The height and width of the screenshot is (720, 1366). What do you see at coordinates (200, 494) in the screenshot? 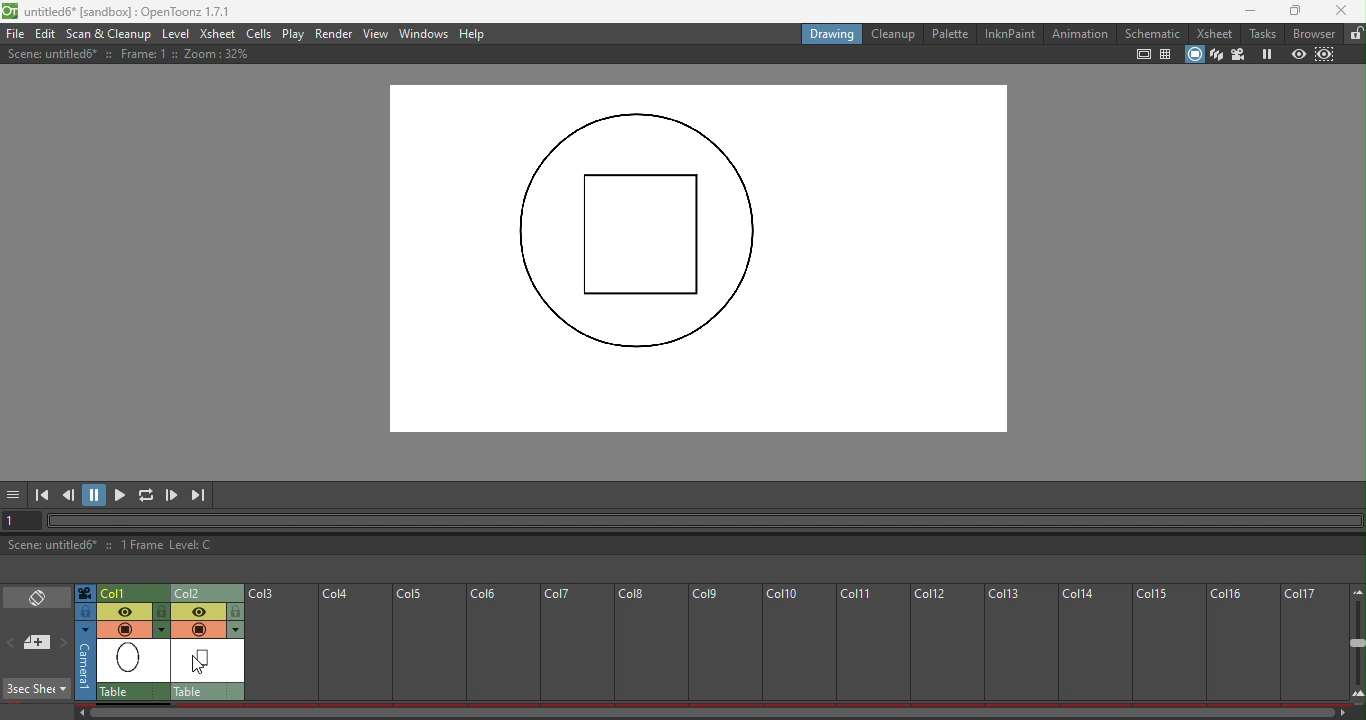
I see `Last frame` at bounding box center [200, 494].